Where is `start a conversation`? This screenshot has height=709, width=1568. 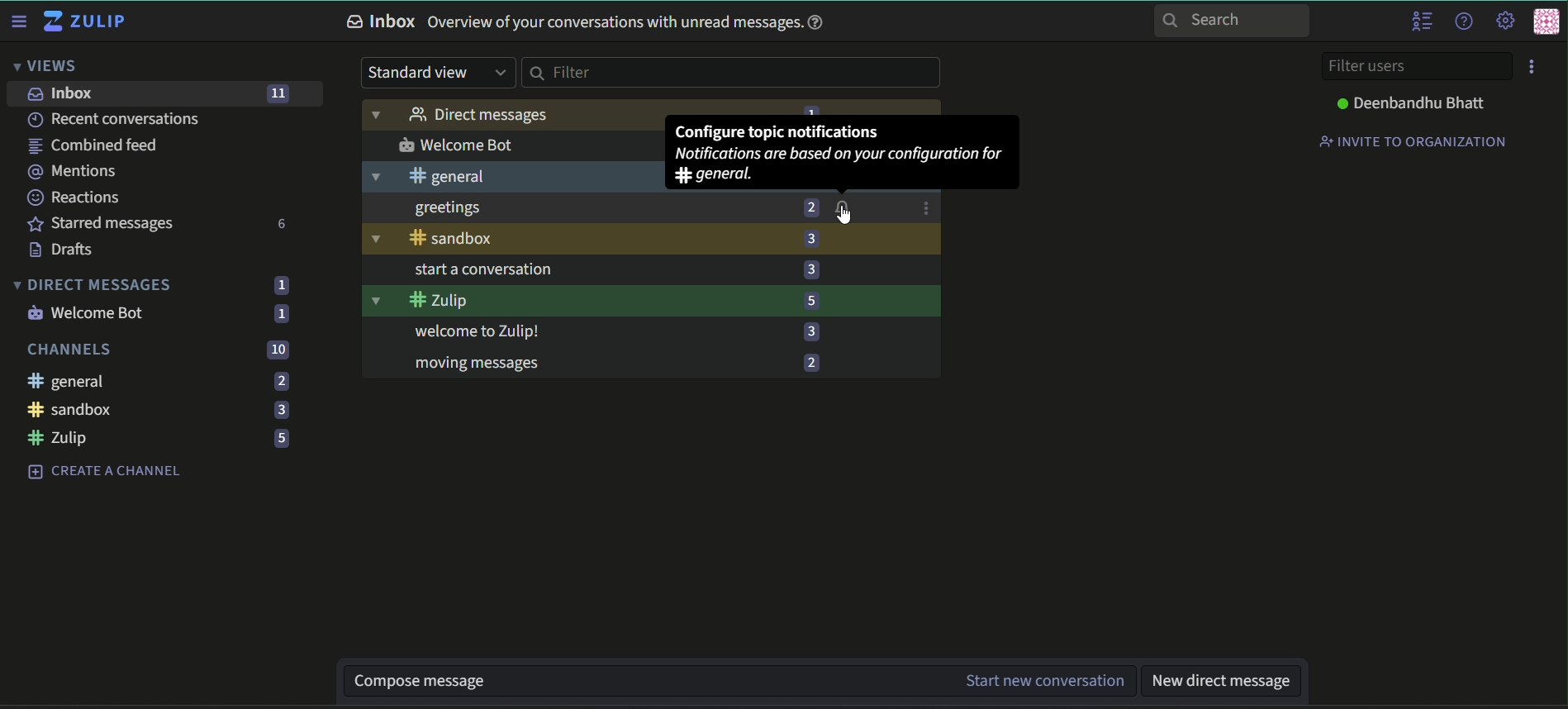
start a conversation is located at coordinates (595, 269).